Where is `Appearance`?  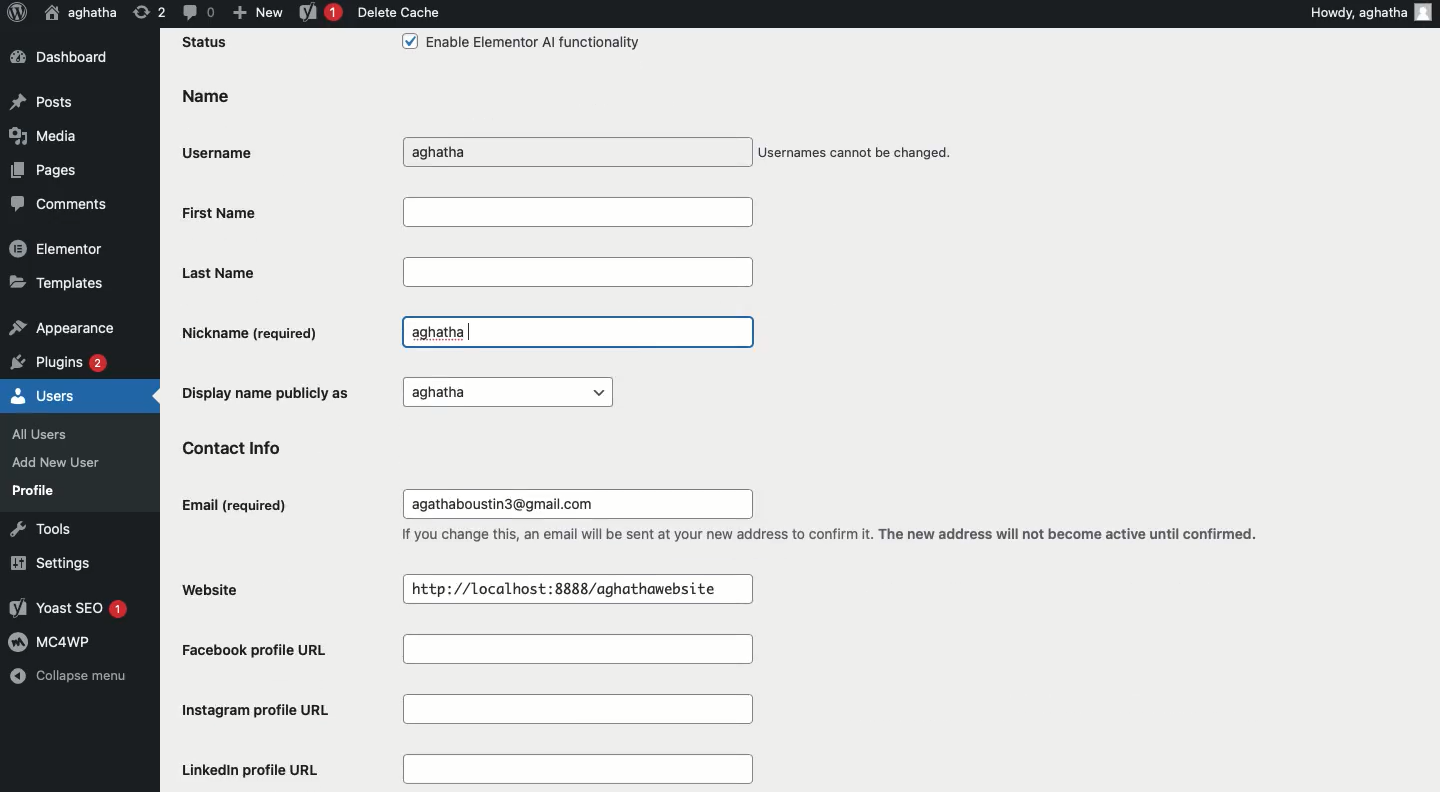
Appearance is located at coordinates (61, 325).